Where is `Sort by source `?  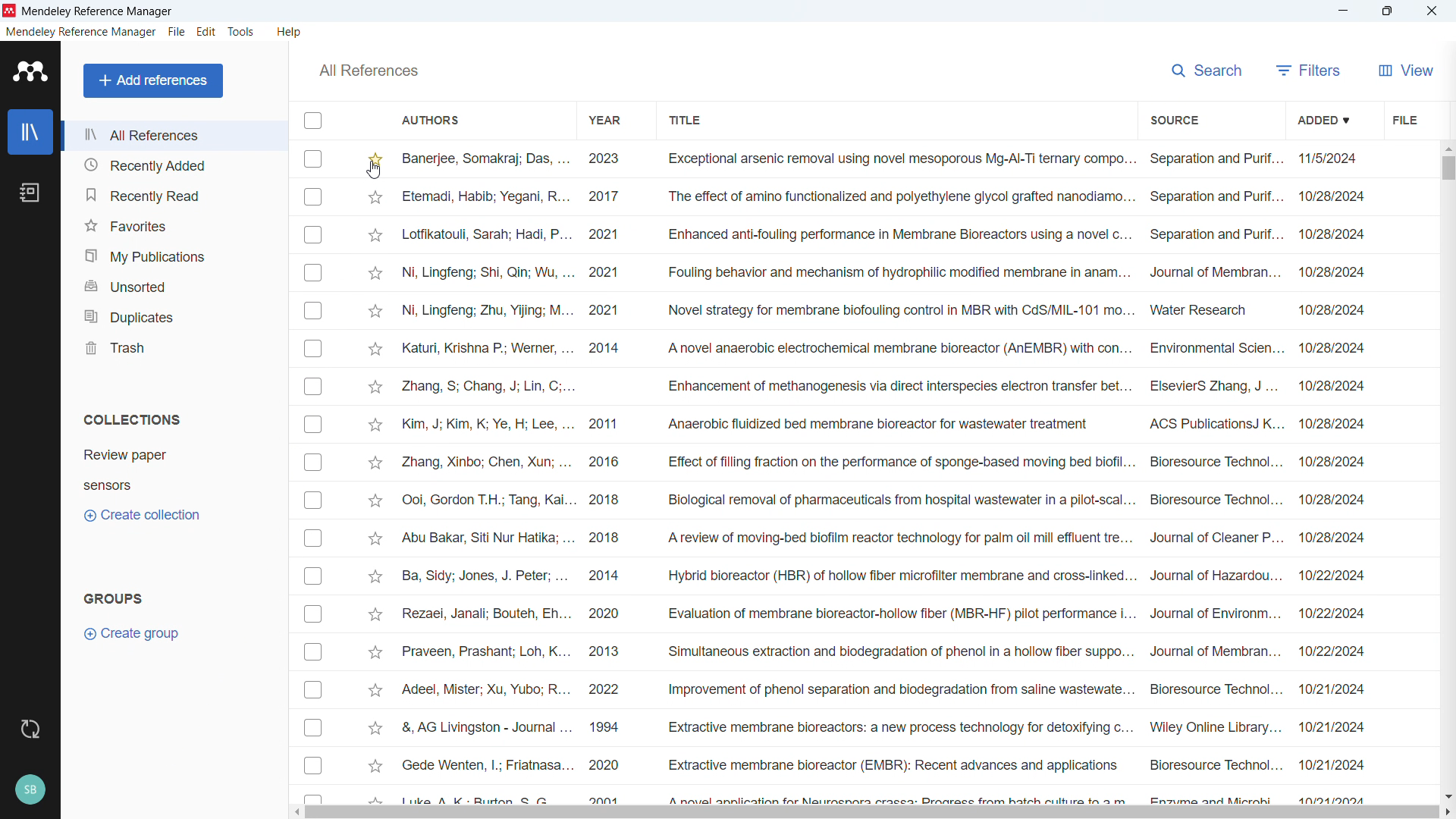
Sort by source  is located at coordinates (1175, 118).